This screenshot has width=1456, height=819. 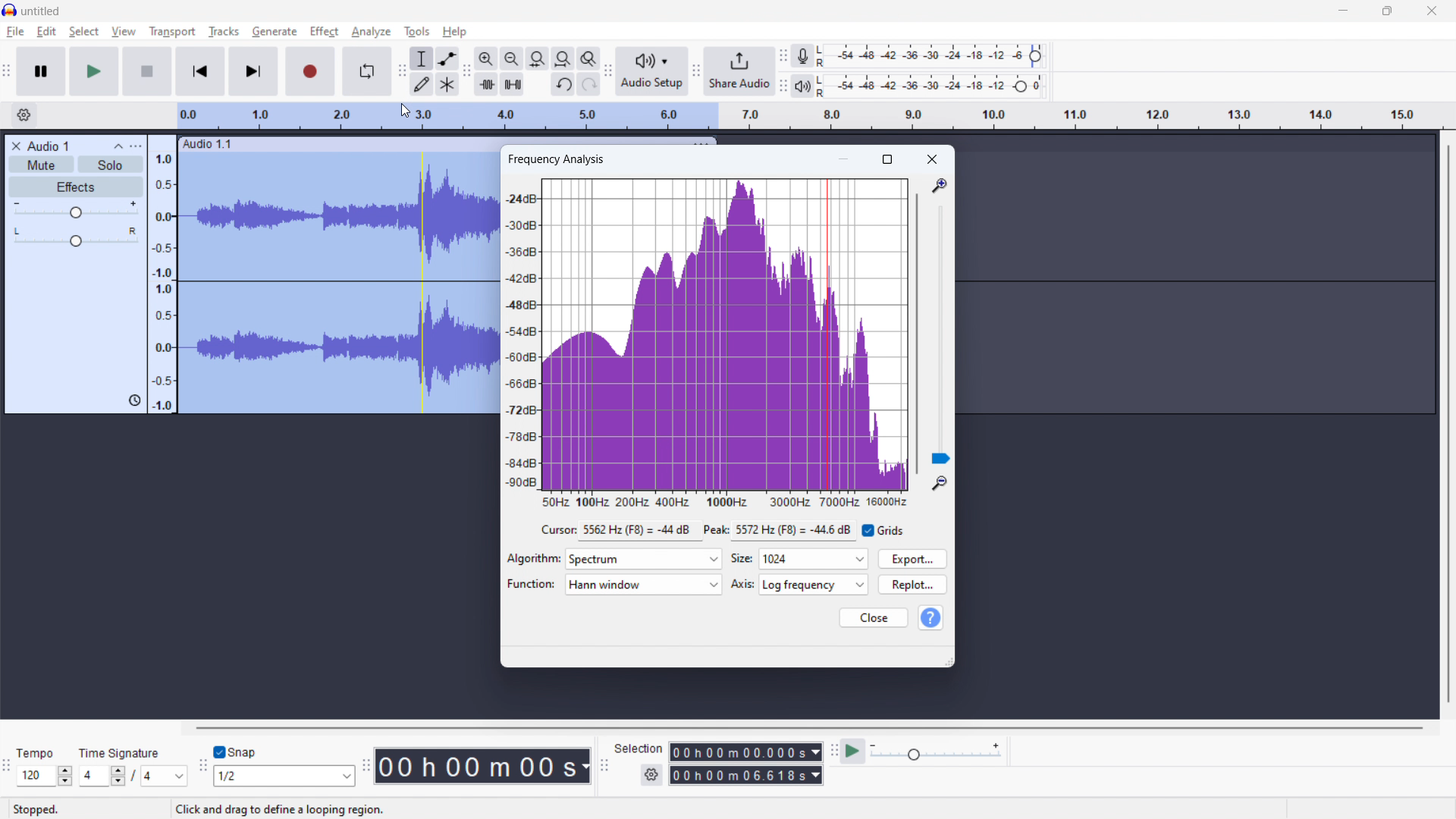 What do you see at coordinates (38, 753) in the screenshot?
I see `Tempo` at bounding box center [38, 753].